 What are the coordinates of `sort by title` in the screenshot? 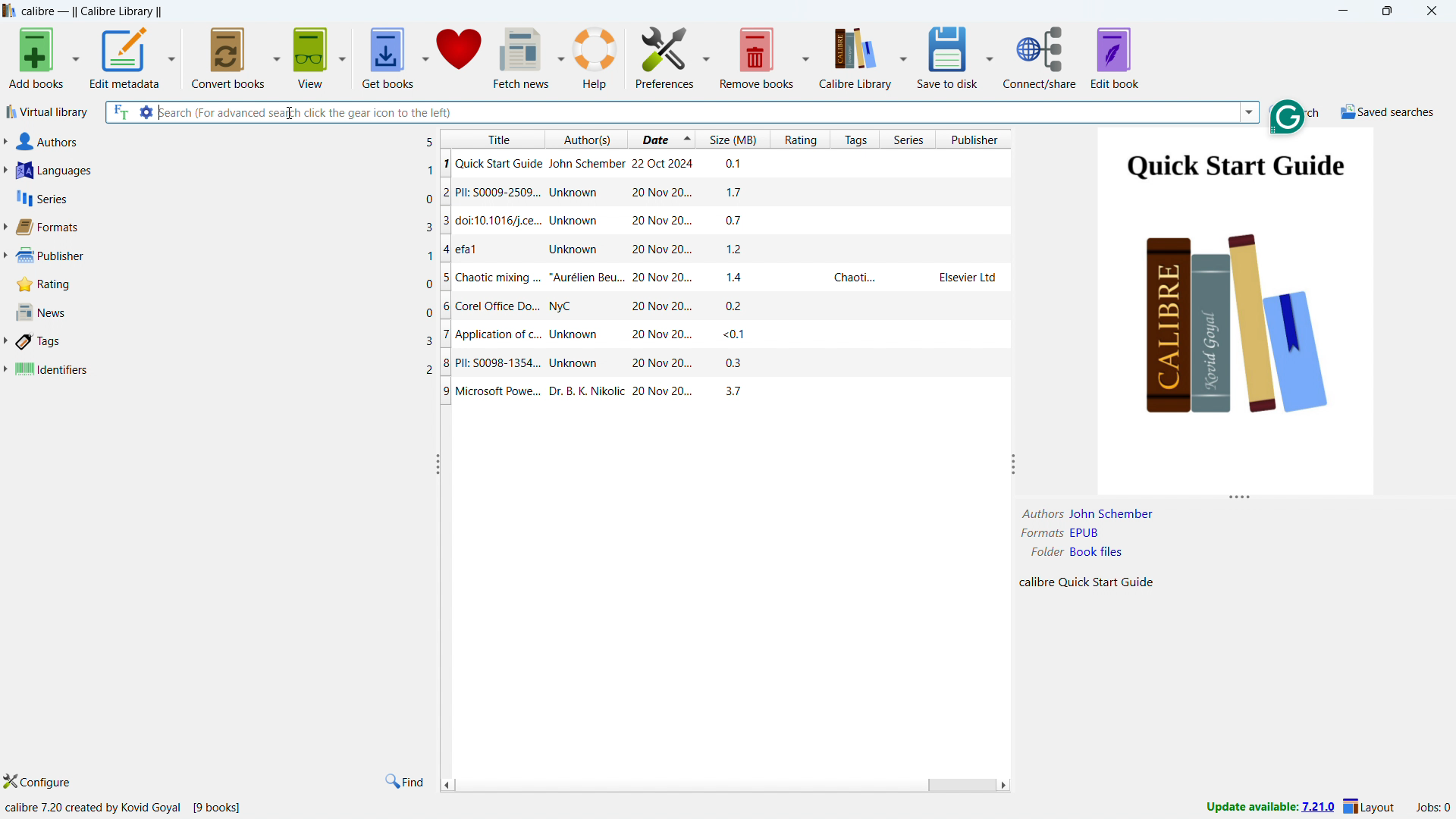 It's located at (494, 137).